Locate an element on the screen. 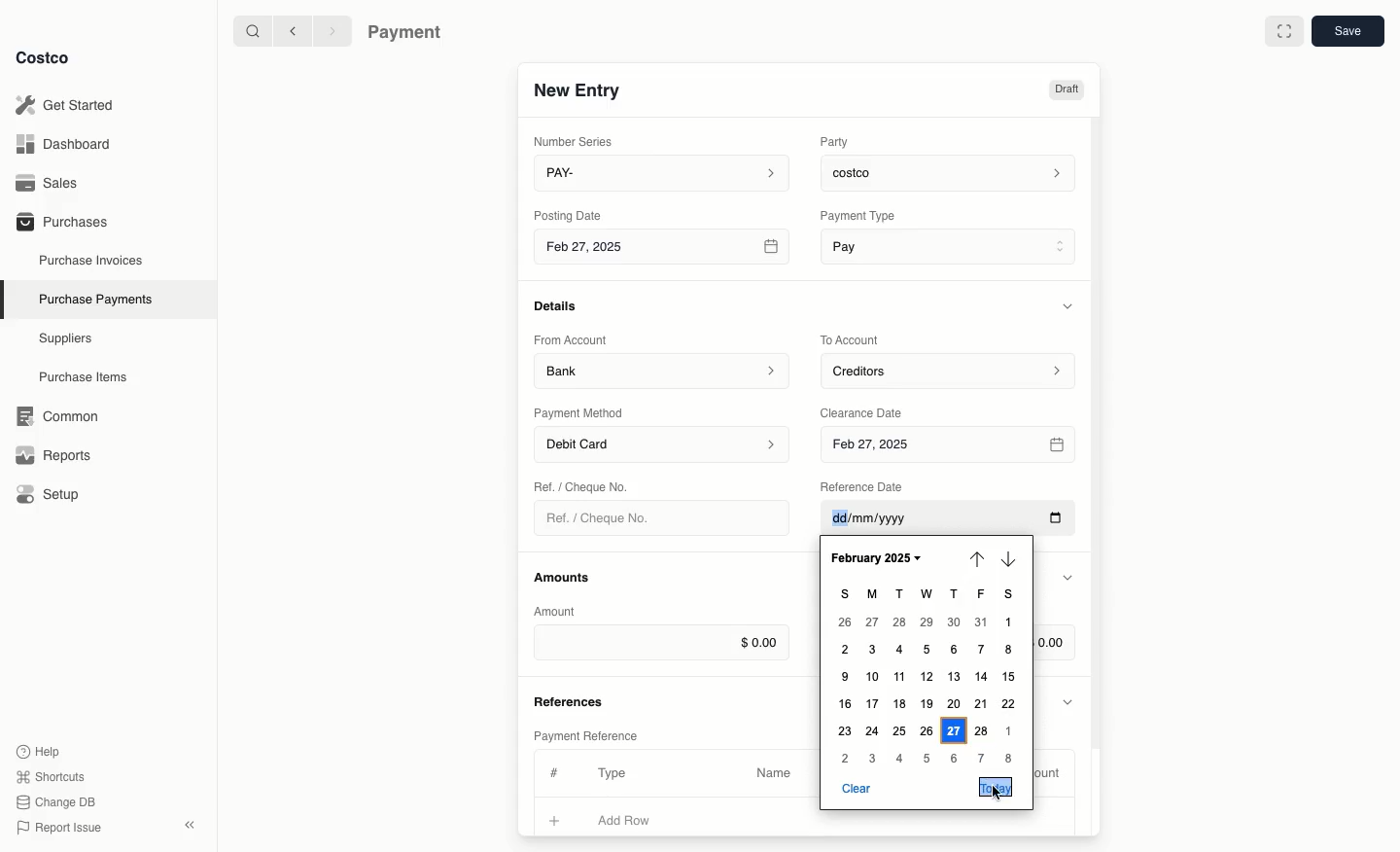  costco is located at coordinates (953, 170).